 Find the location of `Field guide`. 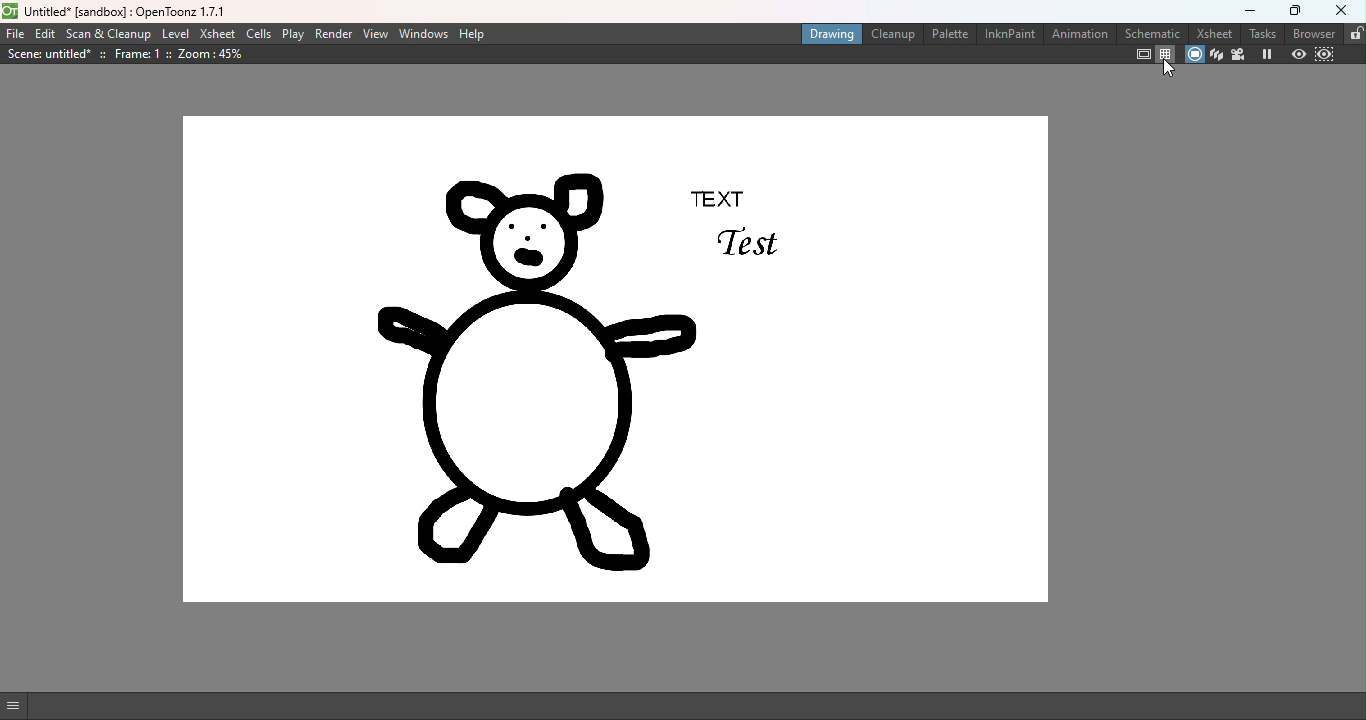

Field guide is located at coordinates (1166, 53).